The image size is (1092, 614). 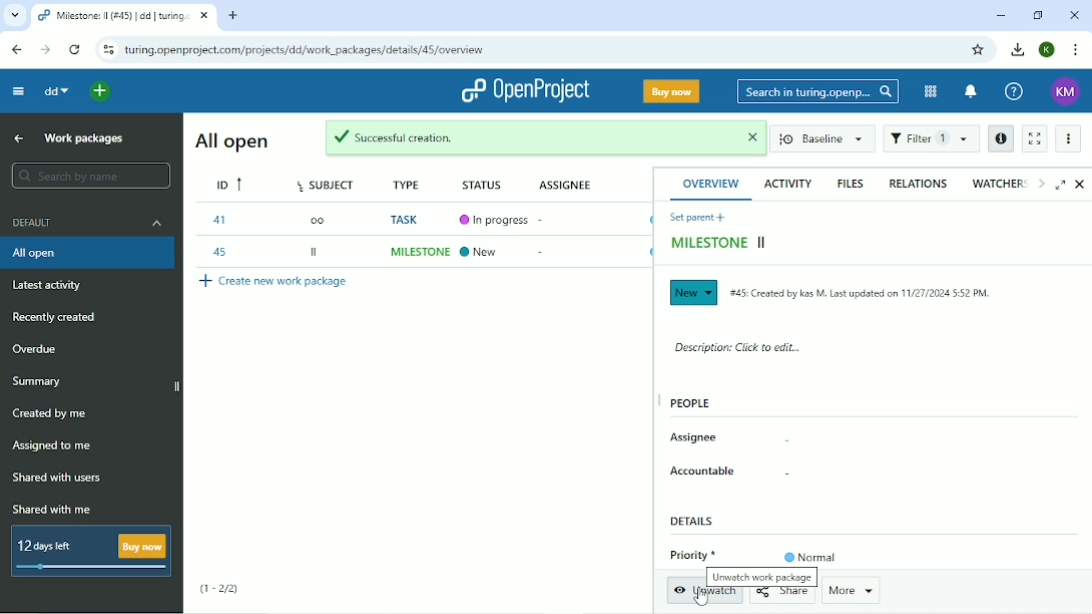 What do you see at coordinates (476, 182) in the screenshot?
I see `status` at bounding box center [476, 182].